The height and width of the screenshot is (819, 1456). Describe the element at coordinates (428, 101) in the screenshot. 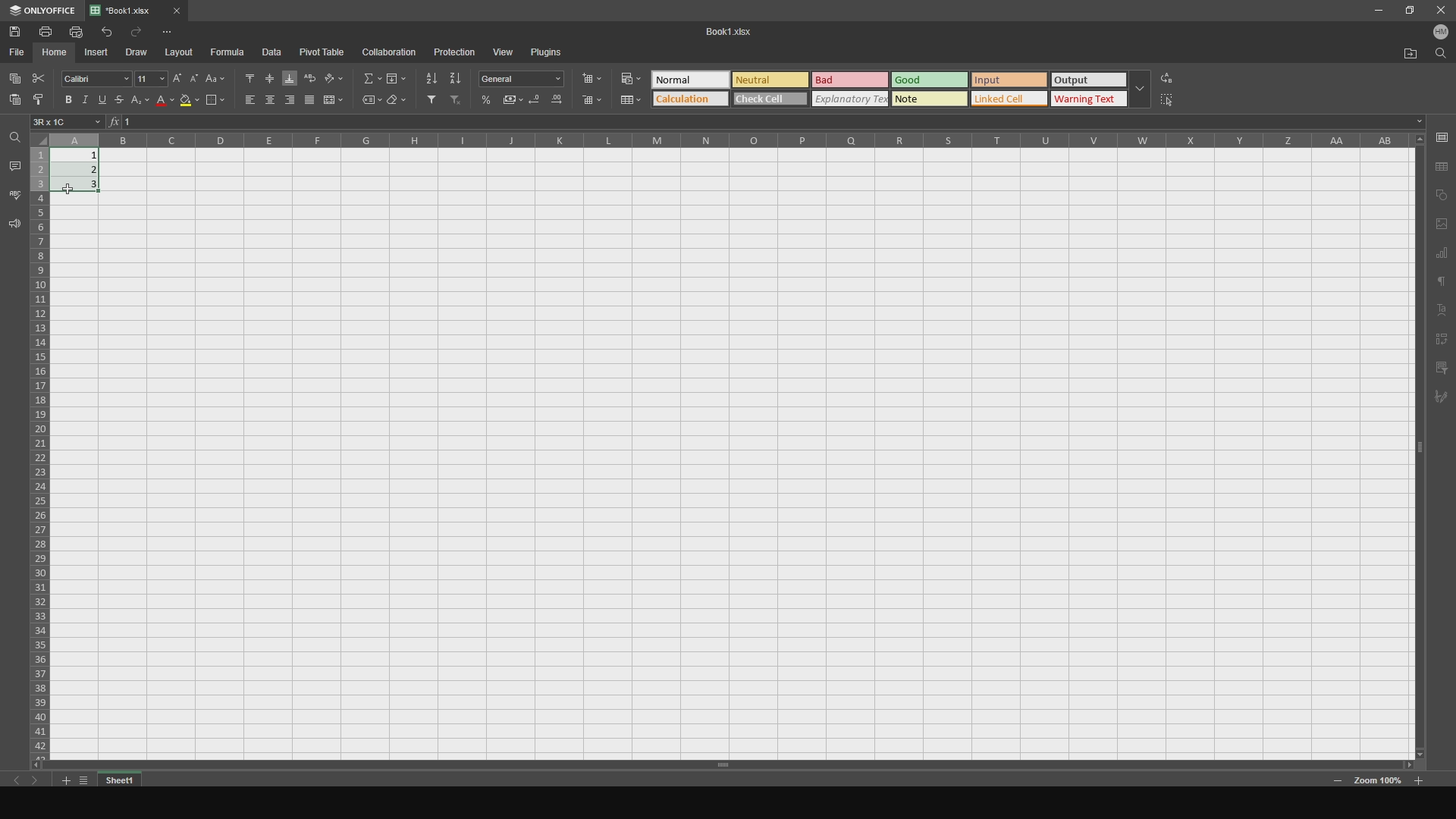

I see `filter` at that location.